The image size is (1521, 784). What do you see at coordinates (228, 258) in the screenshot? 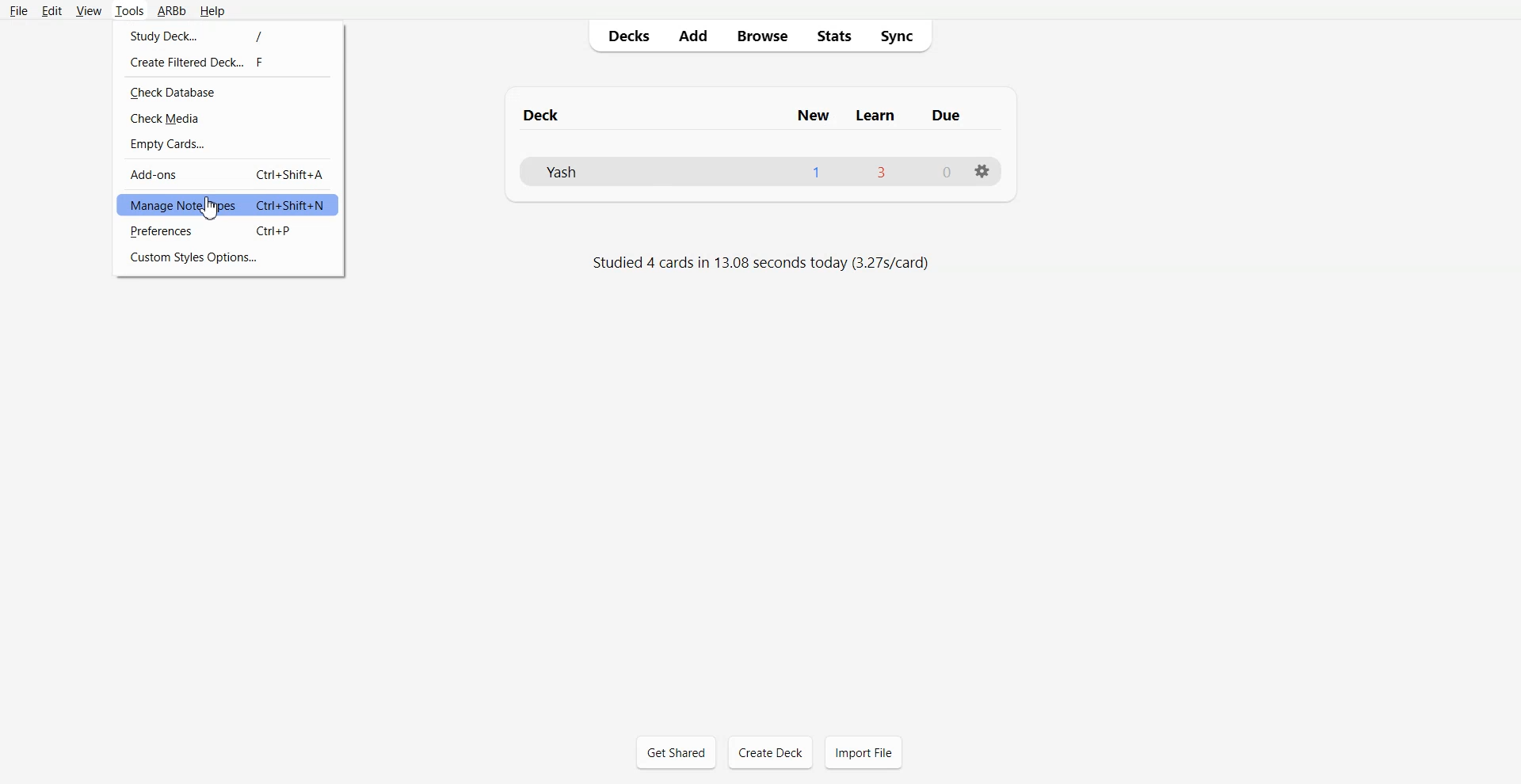
I see `Custom Styles Options` at bounding box center [228, 258].